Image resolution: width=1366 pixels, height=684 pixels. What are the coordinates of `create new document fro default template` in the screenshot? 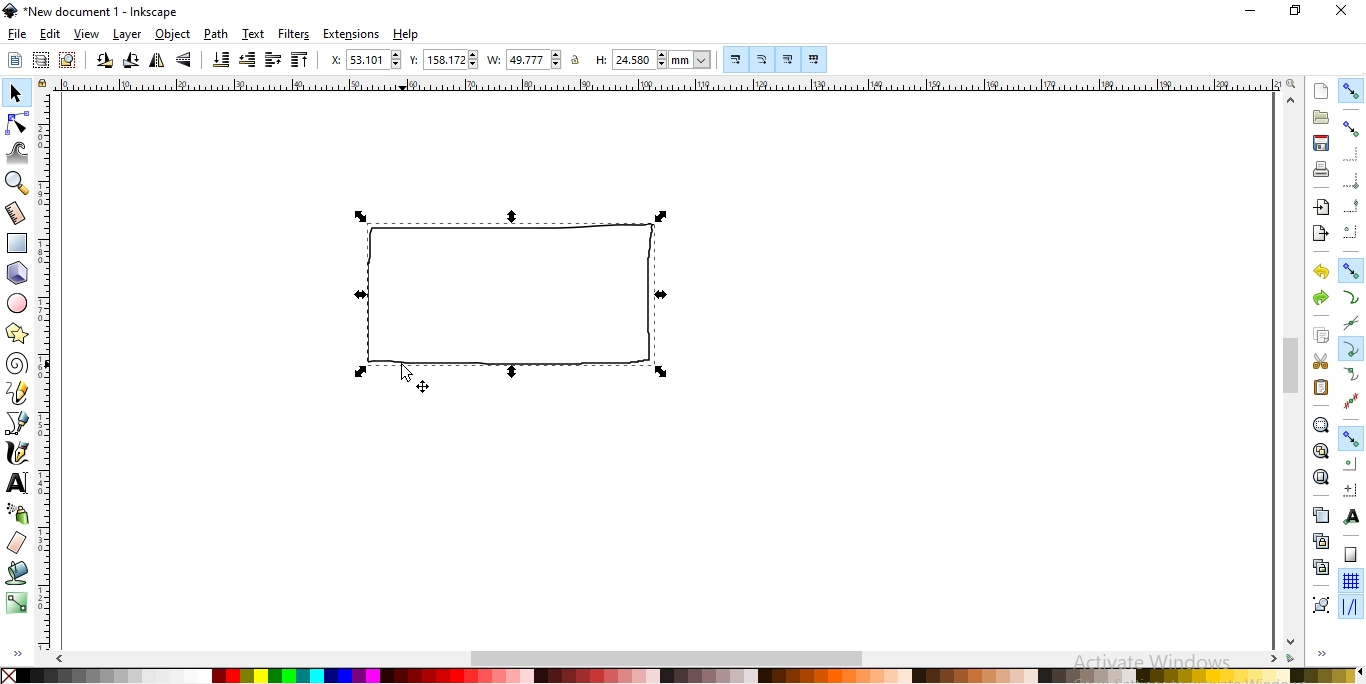 It's located at (1320, 92).